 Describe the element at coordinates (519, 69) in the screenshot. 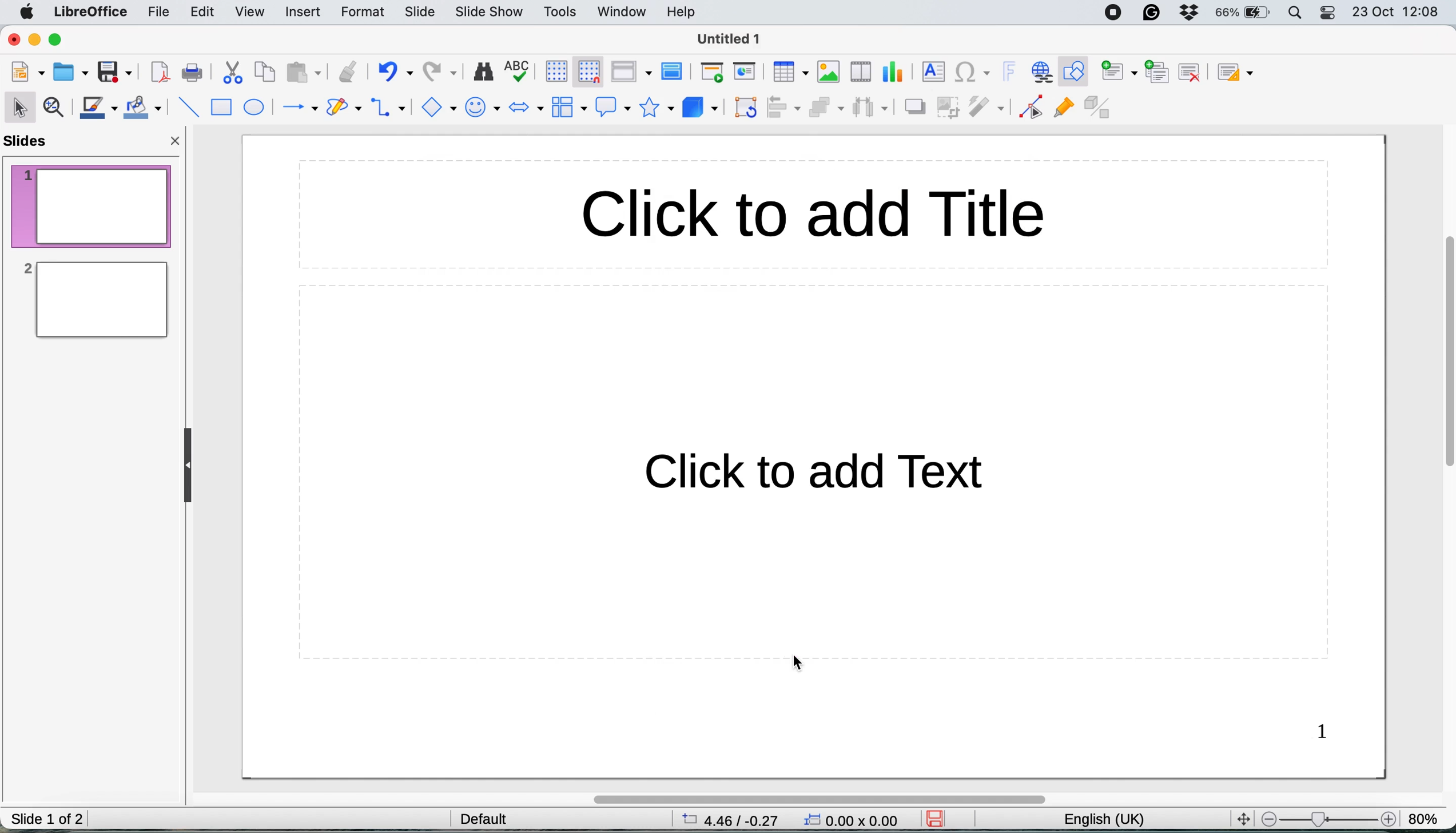

I see `spelling` at that location.